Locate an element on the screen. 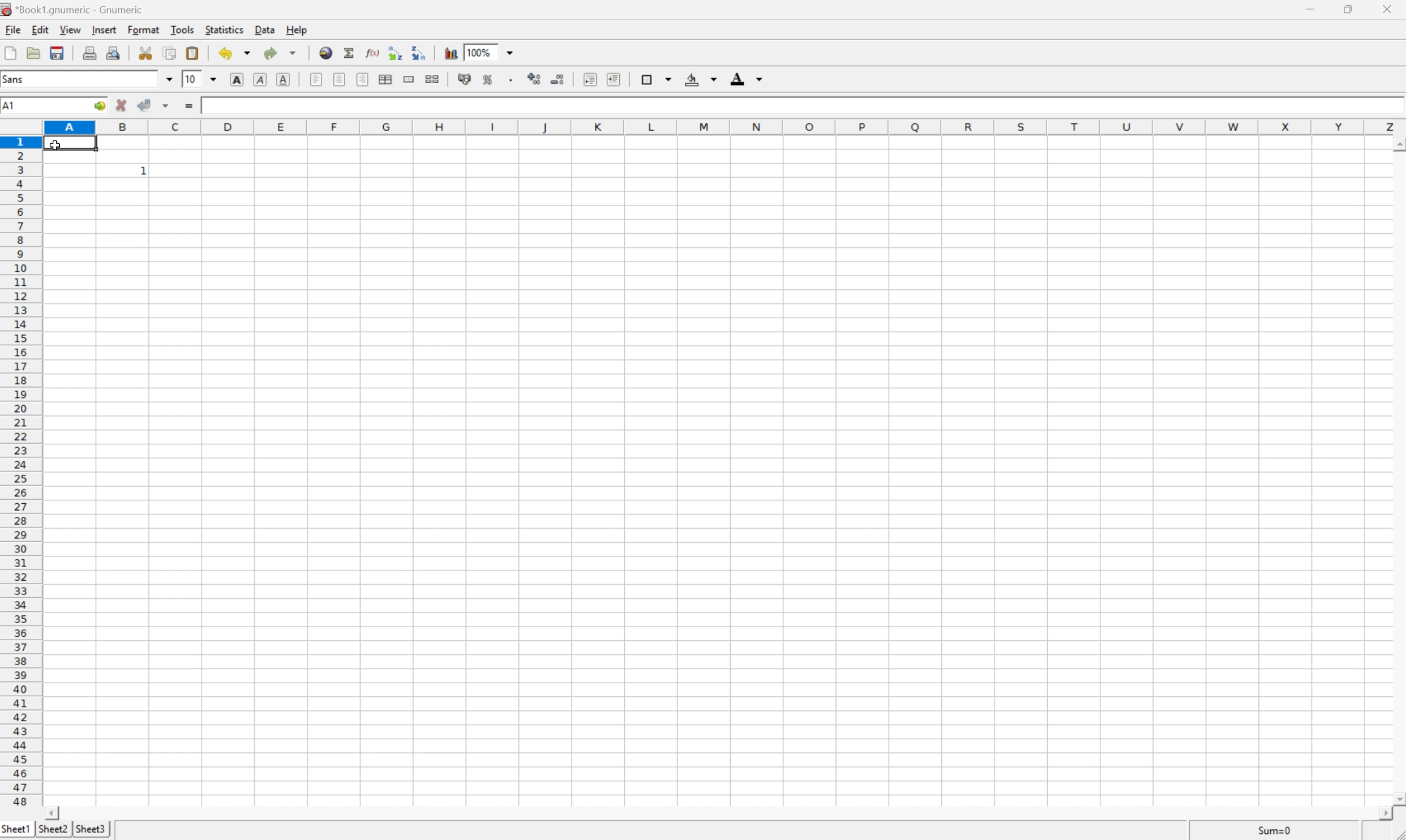 The image size is (1406, 840). merge a range of cells is located at coordinates (408, 79).